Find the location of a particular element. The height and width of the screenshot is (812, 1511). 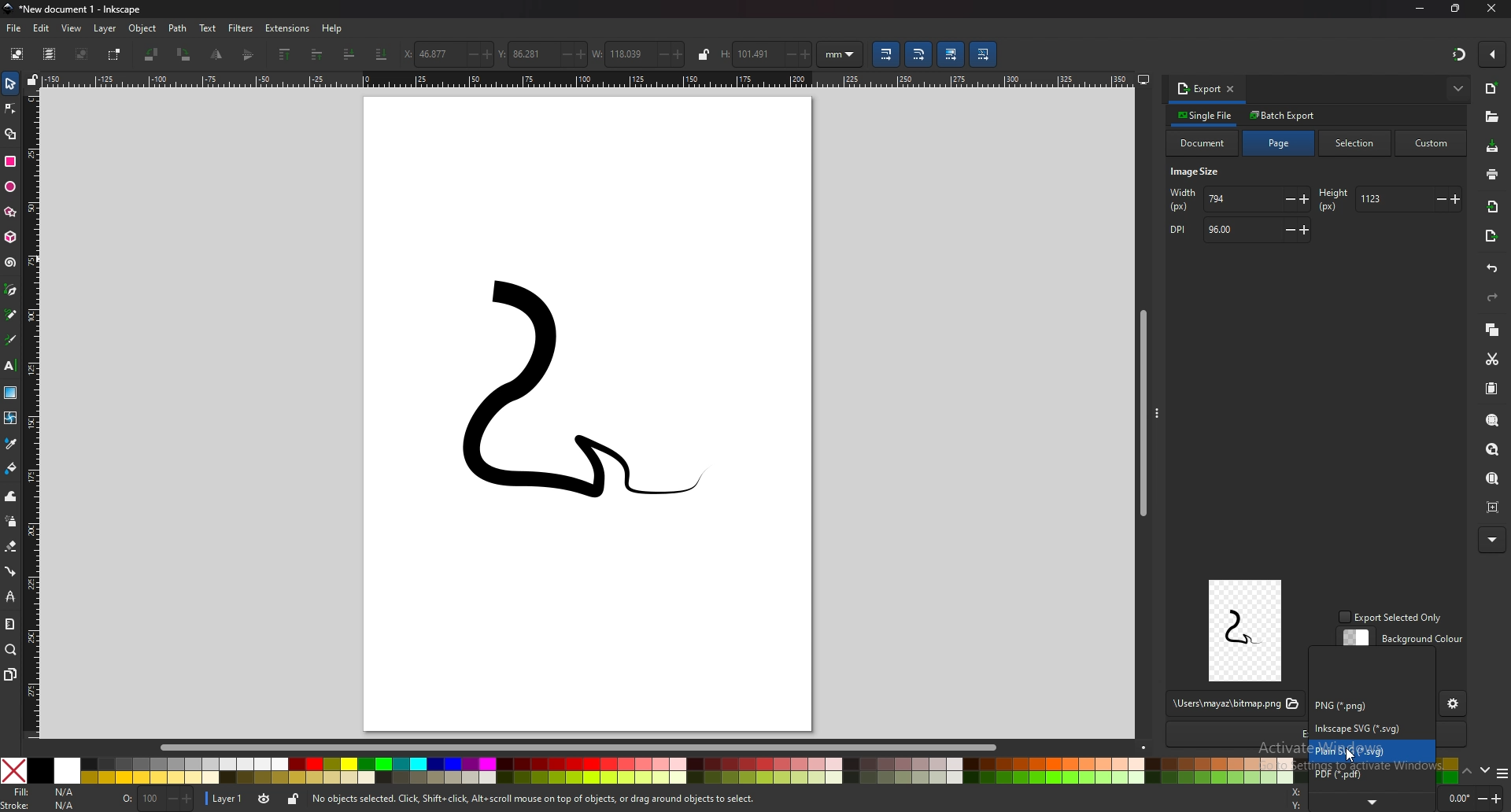

mesh is located at coordinates (11, 417).